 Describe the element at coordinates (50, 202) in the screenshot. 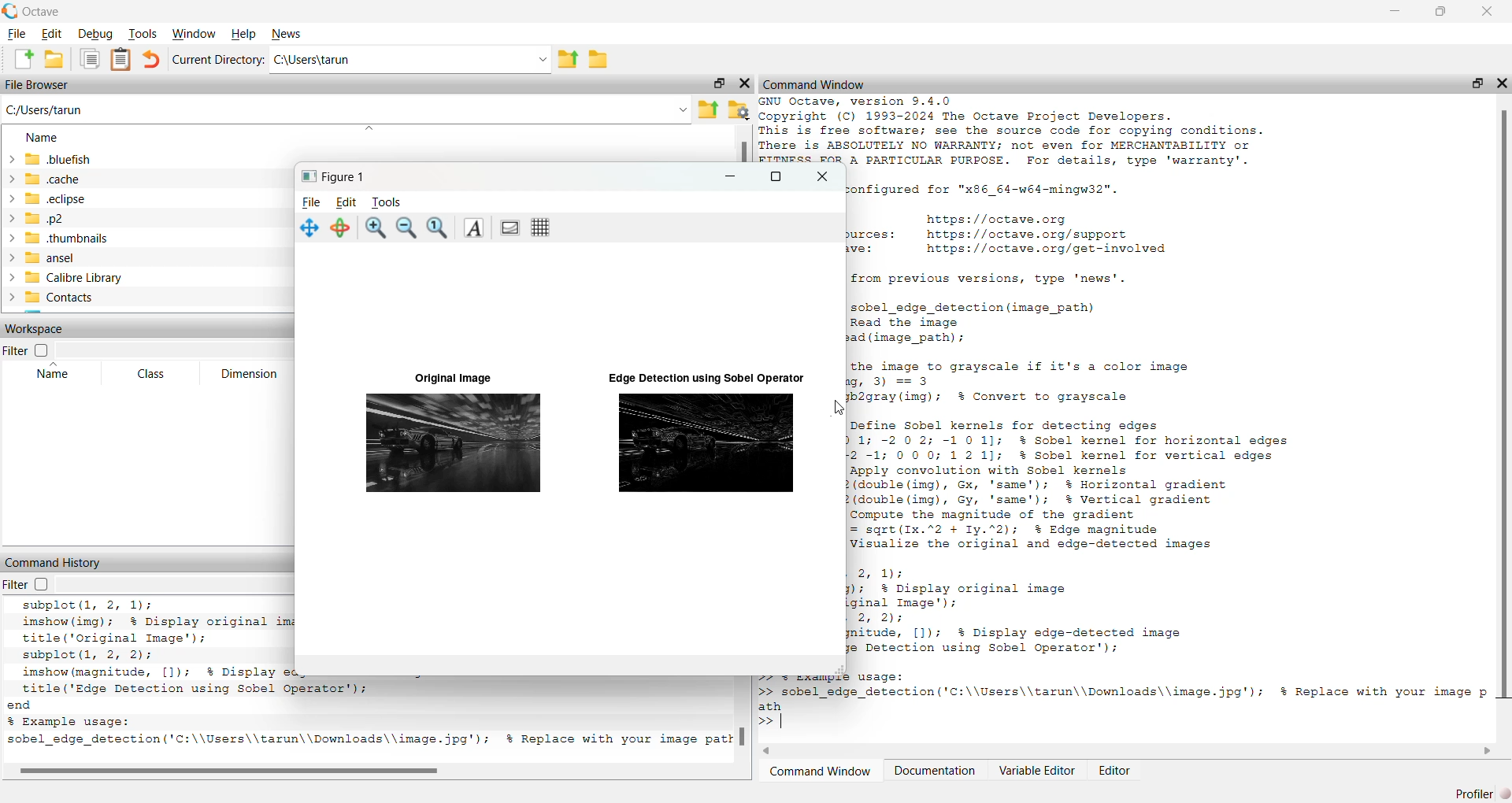

I see ` eclipse` at that location.